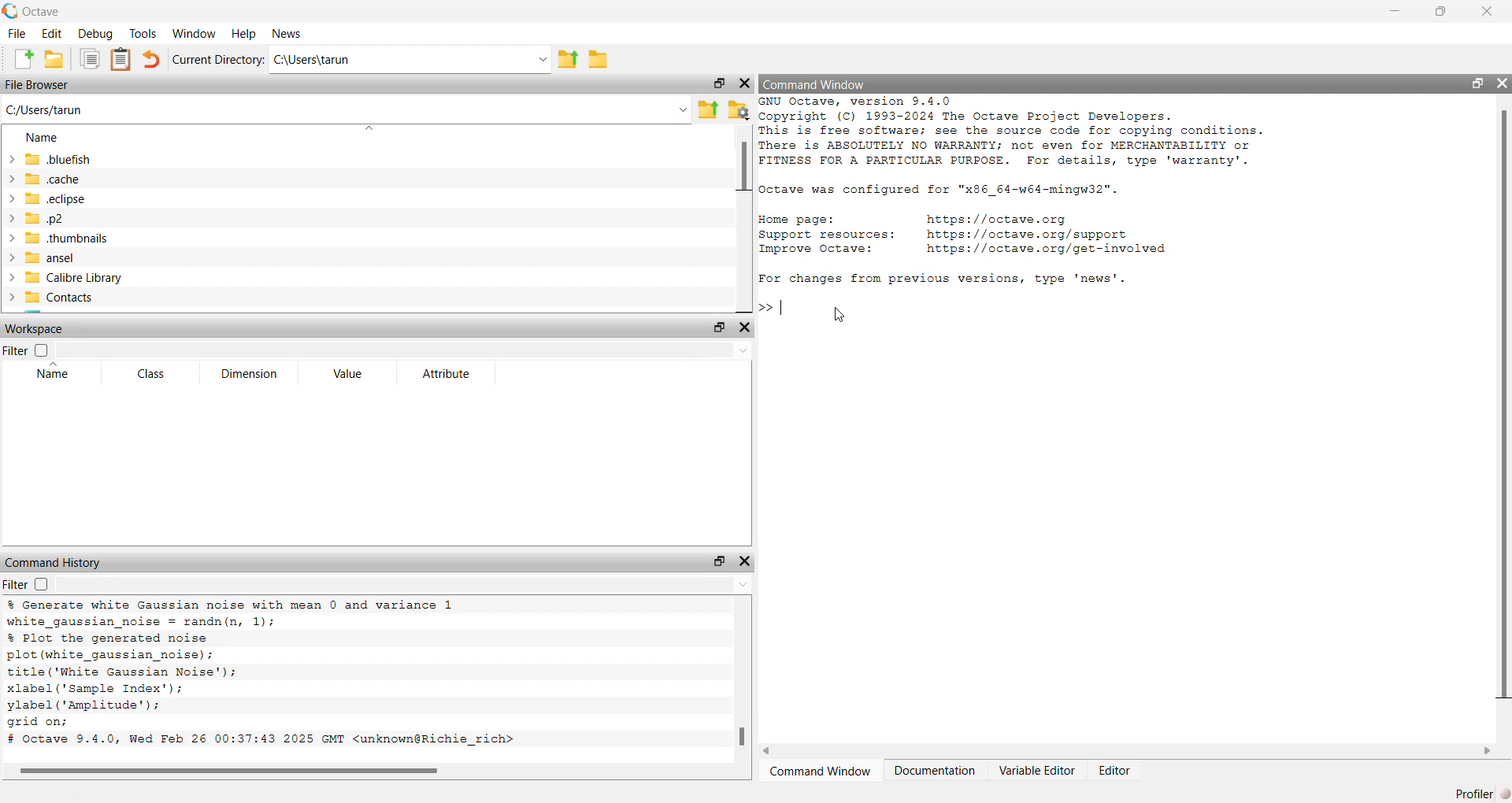 The height and width of the screenshot is (803, 1512). I want to click on horizontal scroll bar, so click(1128, 750).